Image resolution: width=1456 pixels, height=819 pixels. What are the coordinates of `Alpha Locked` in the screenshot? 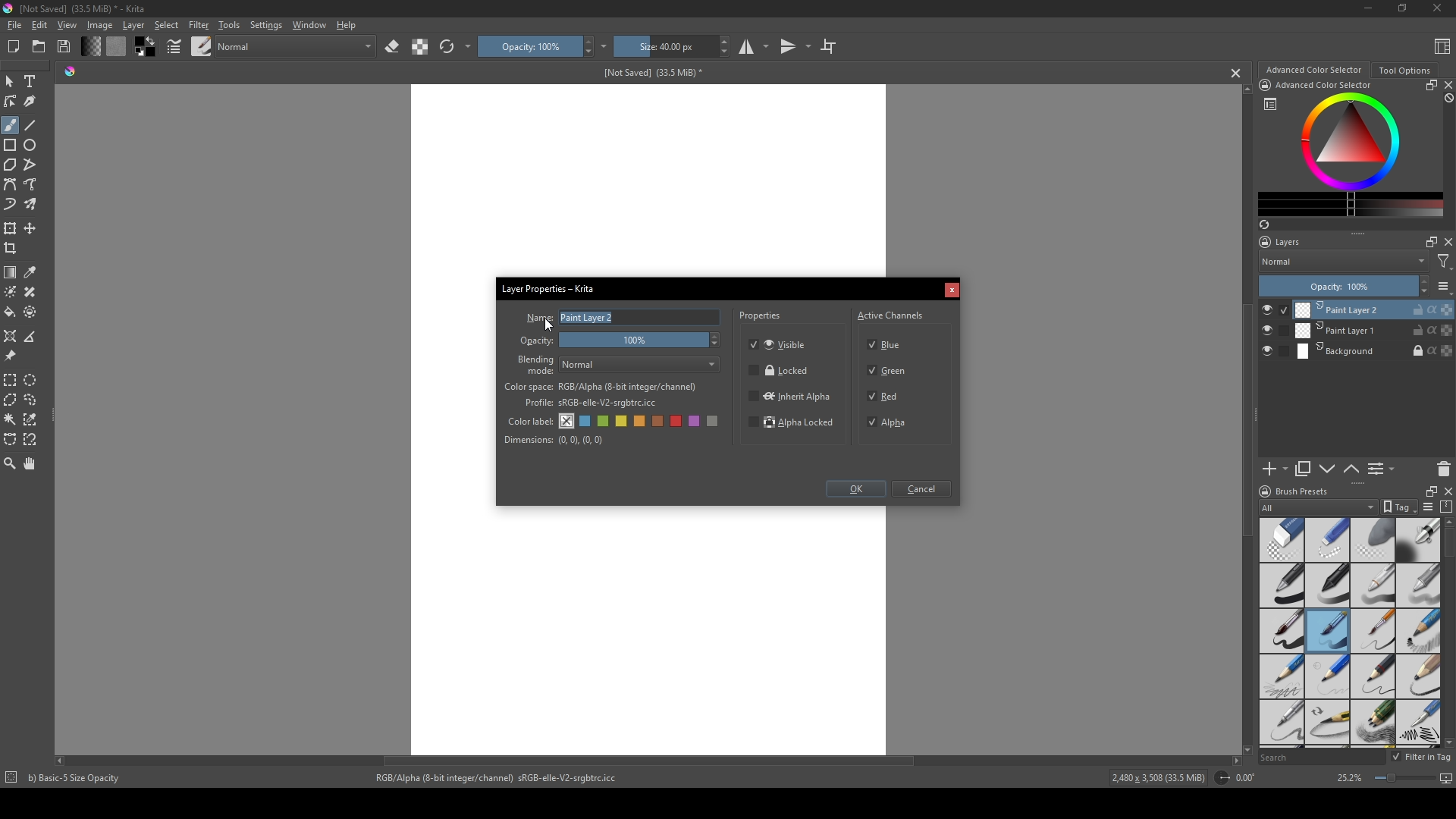 It's located at (792, 424).